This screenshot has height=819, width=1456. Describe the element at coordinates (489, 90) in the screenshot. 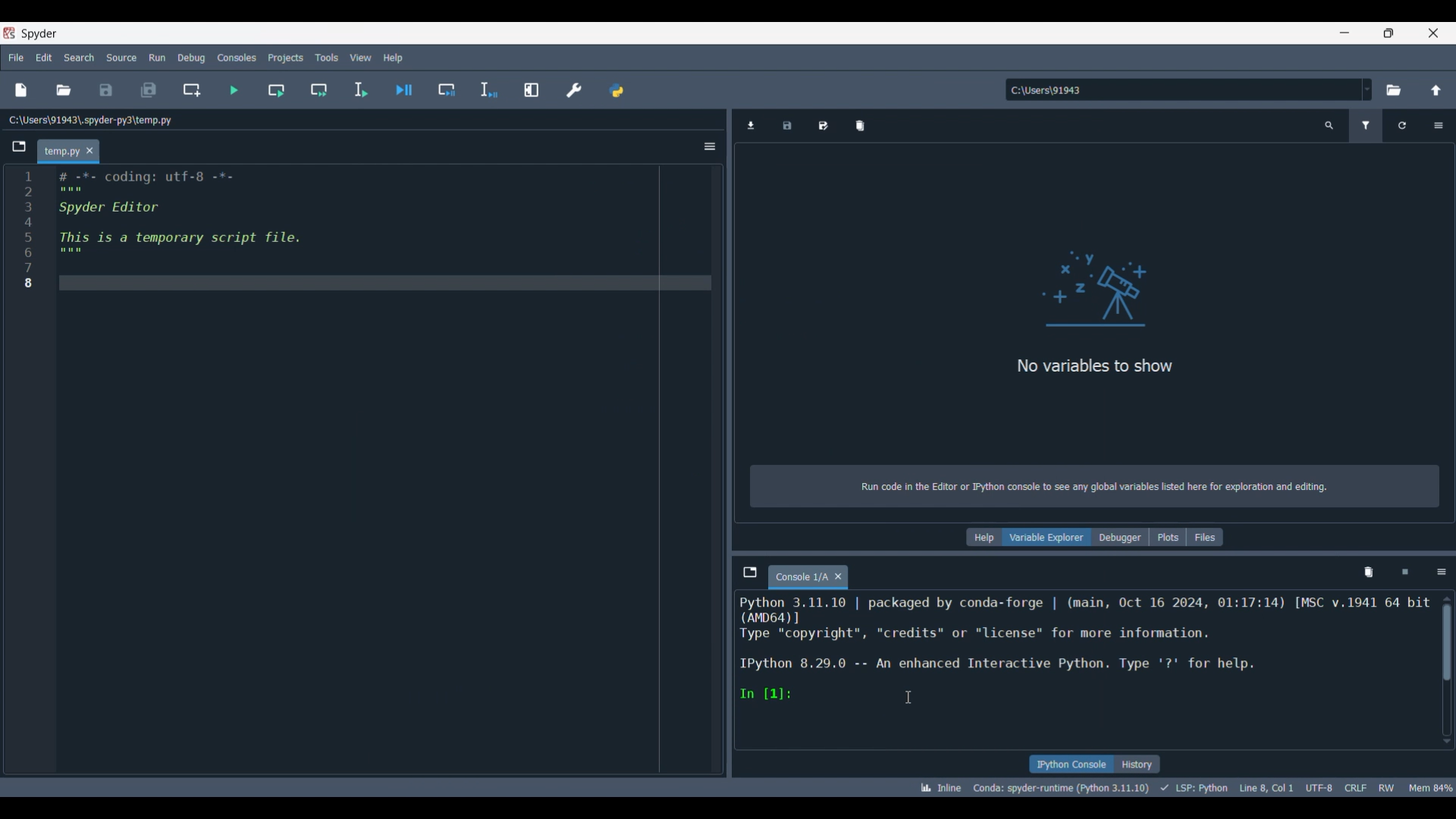

I see `Debug selection/current line` at that location.